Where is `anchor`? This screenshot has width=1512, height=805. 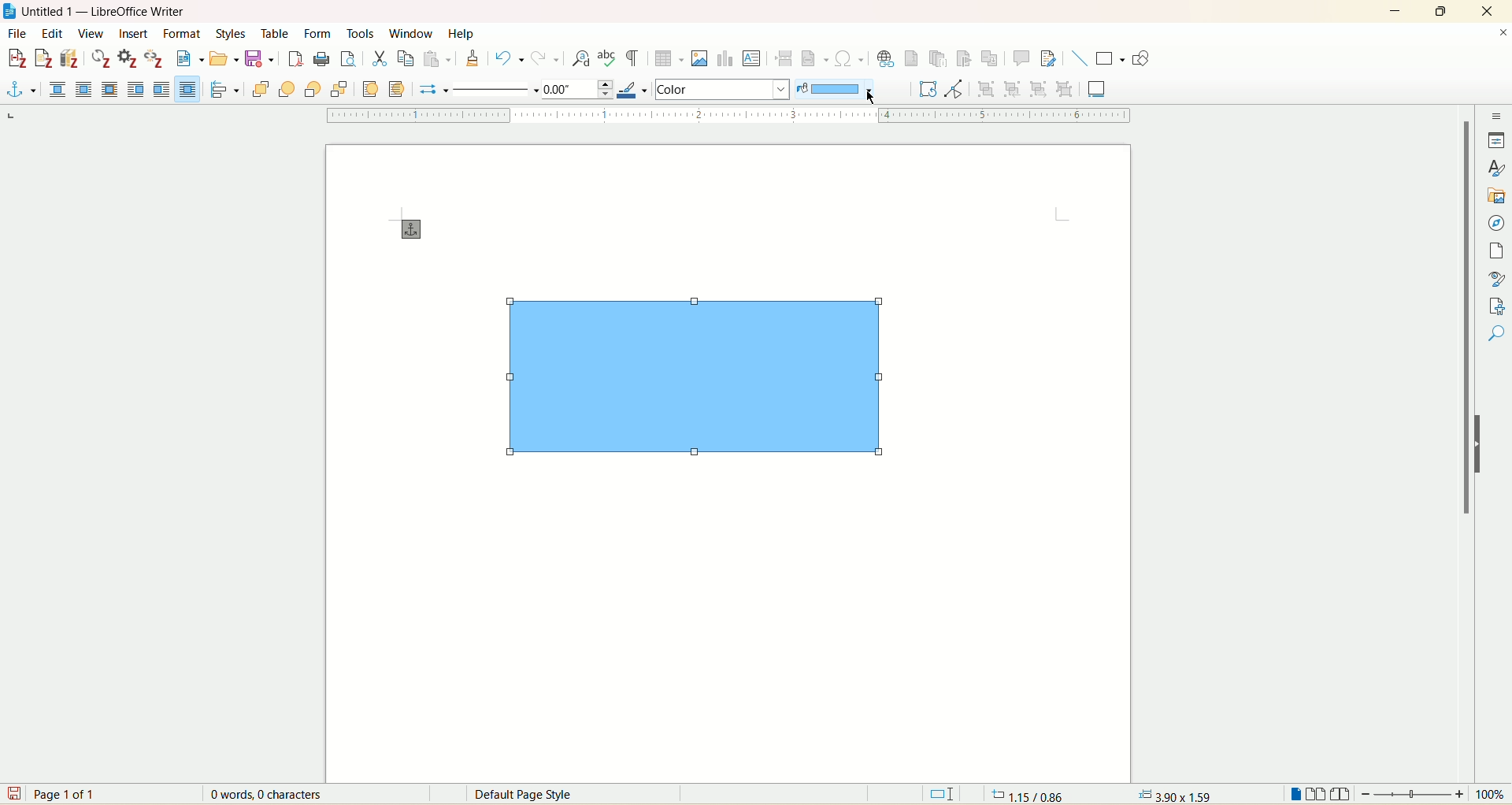 anchor is located at coordinates (408, 229).